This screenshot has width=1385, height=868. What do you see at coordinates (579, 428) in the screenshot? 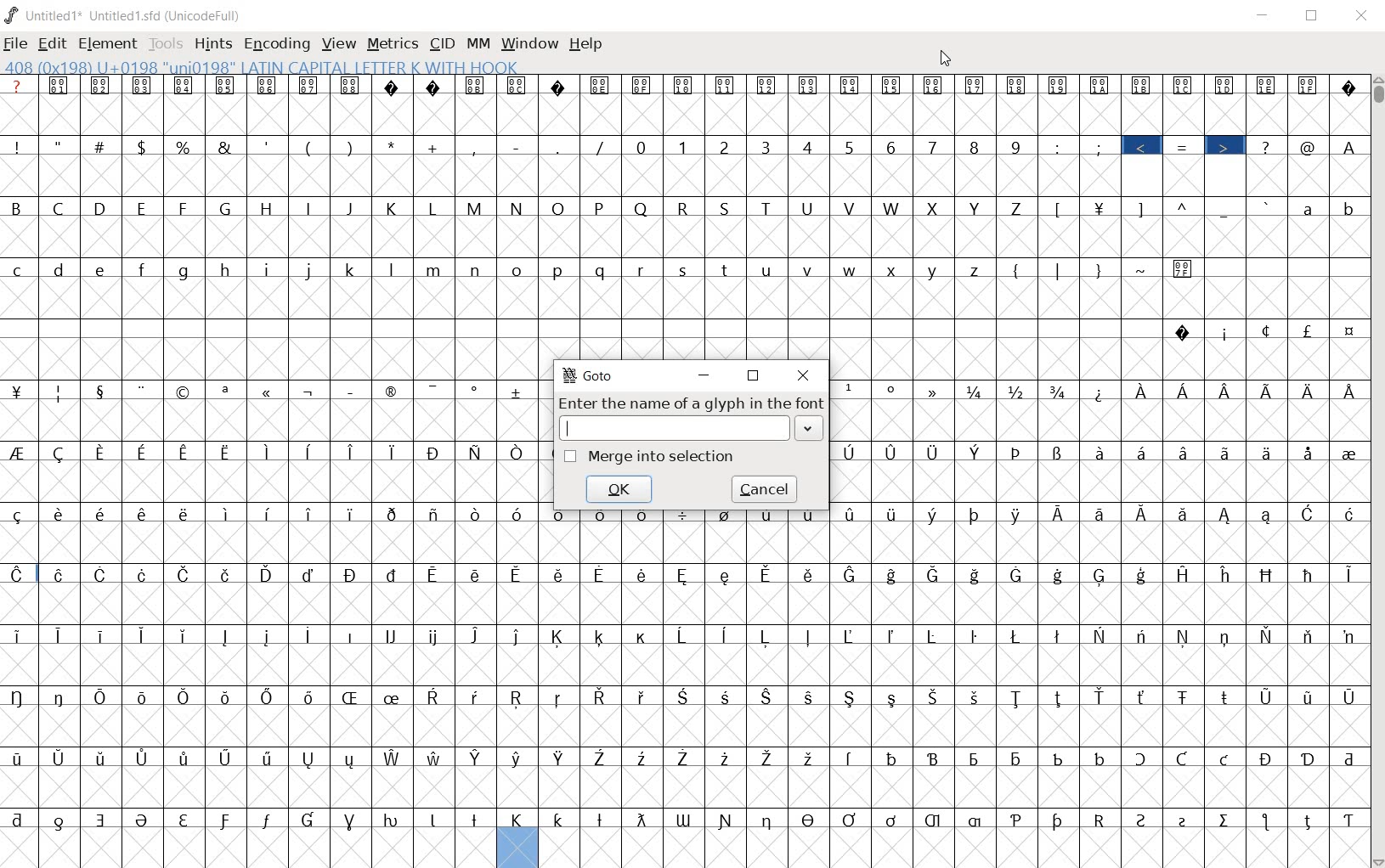
I see `text cursor` at bounding box center [579, 428].